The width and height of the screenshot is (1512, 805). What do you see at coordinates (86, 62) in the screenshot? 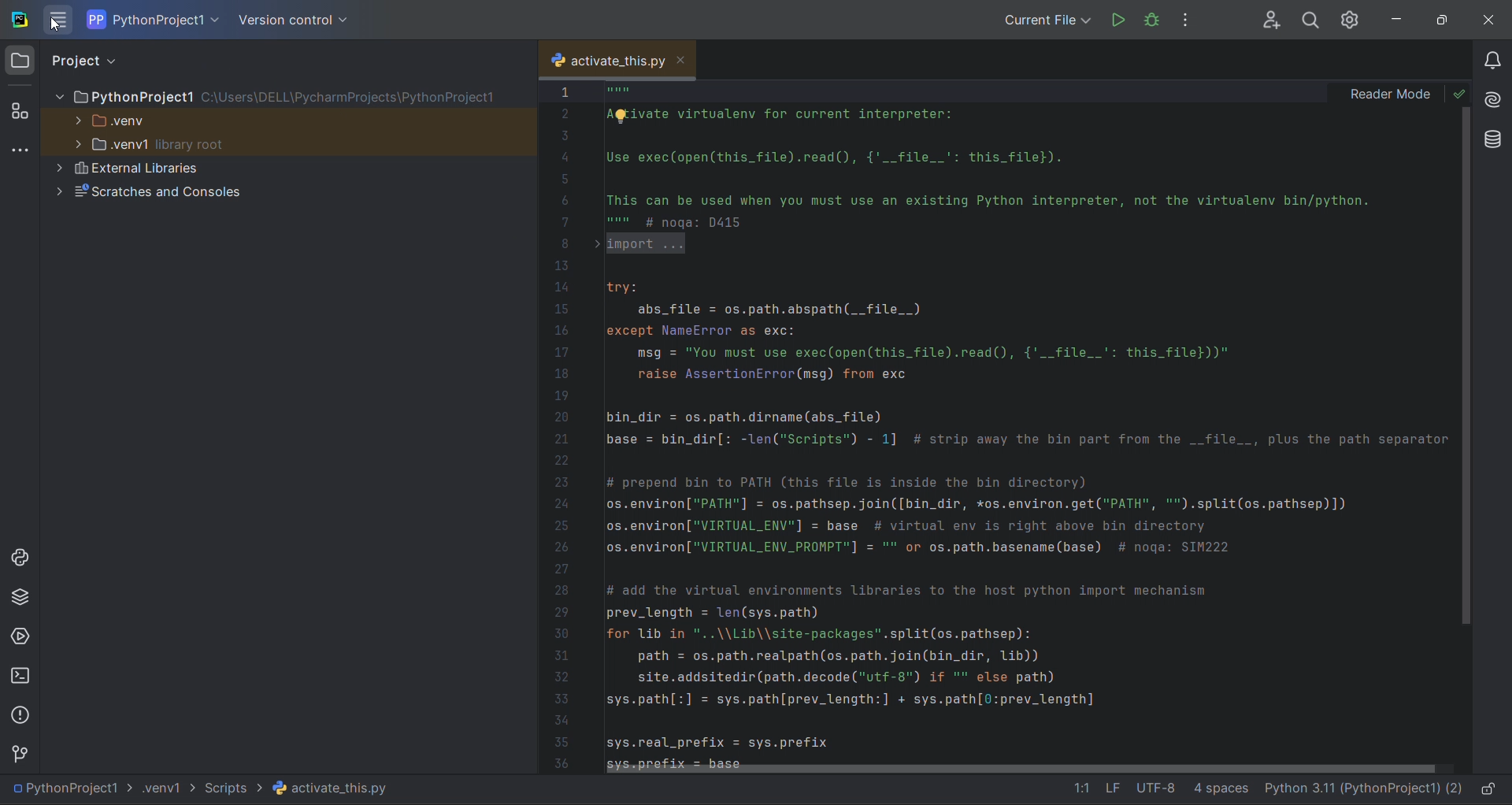
I see `project view` at bounding box center [86, 62].